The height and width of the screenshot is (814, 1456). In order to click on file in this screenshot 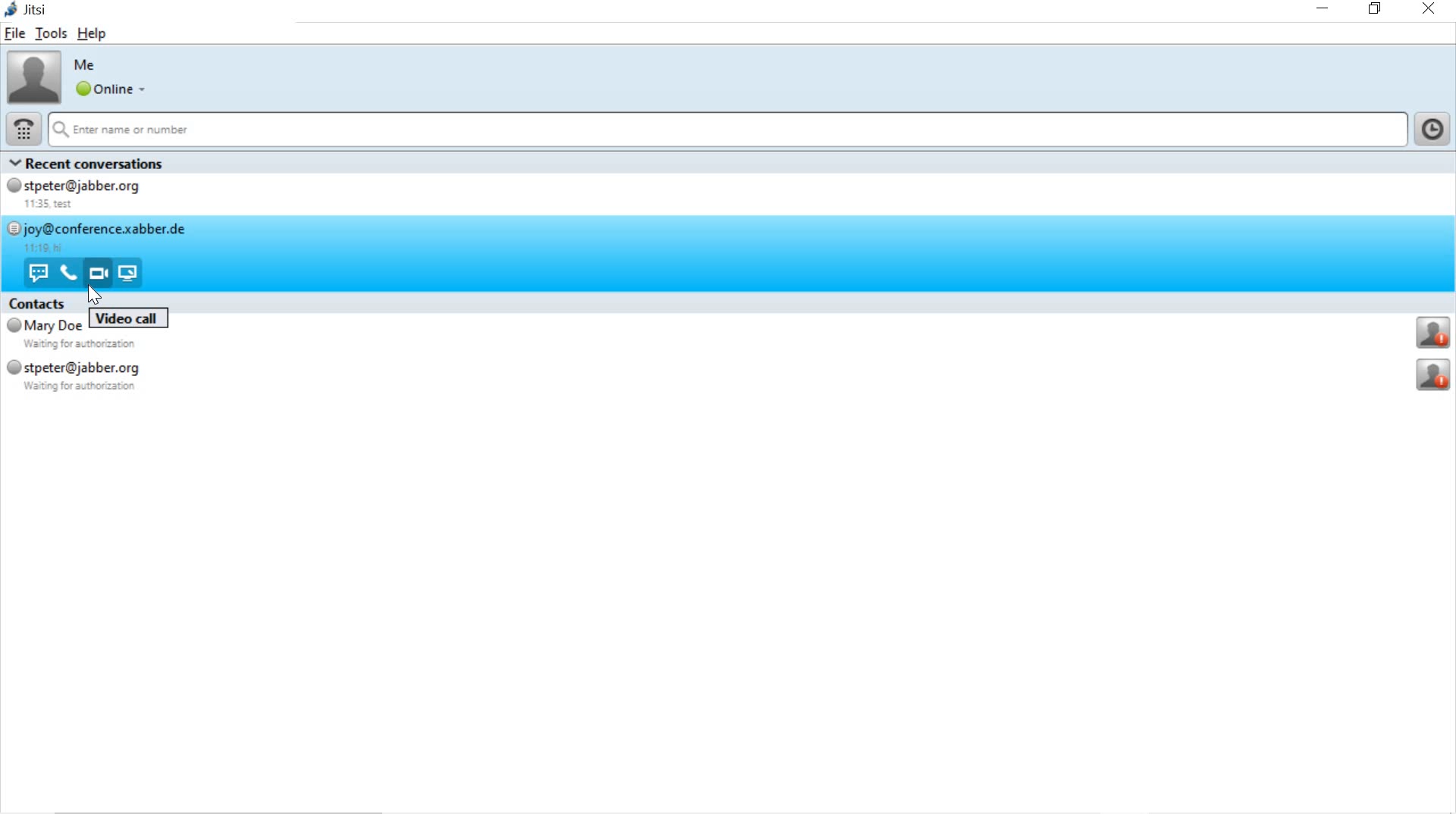, I will do `click(16, 34)`.